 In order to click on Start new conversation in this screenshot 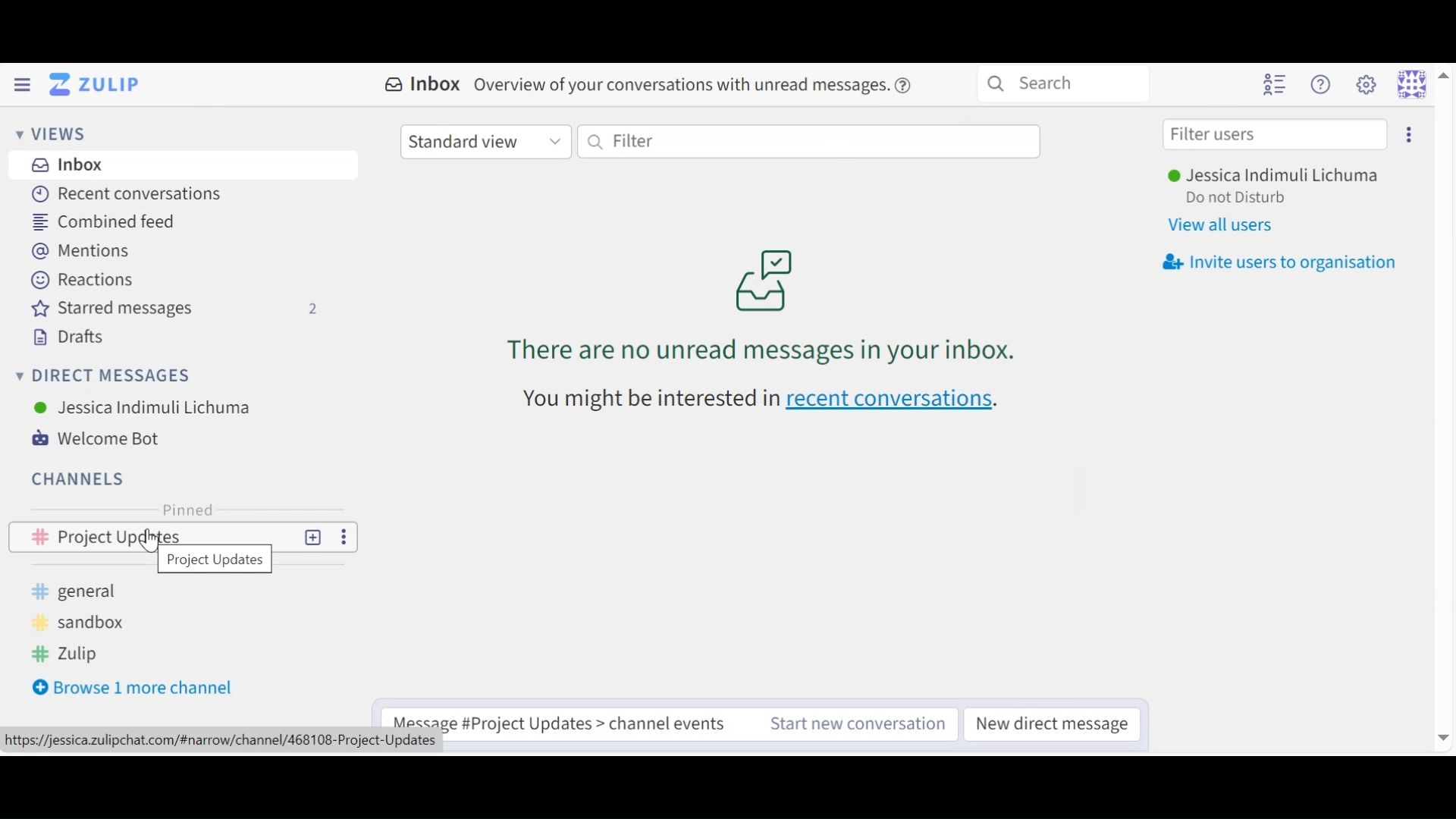, I will do `click(858, 725)`.